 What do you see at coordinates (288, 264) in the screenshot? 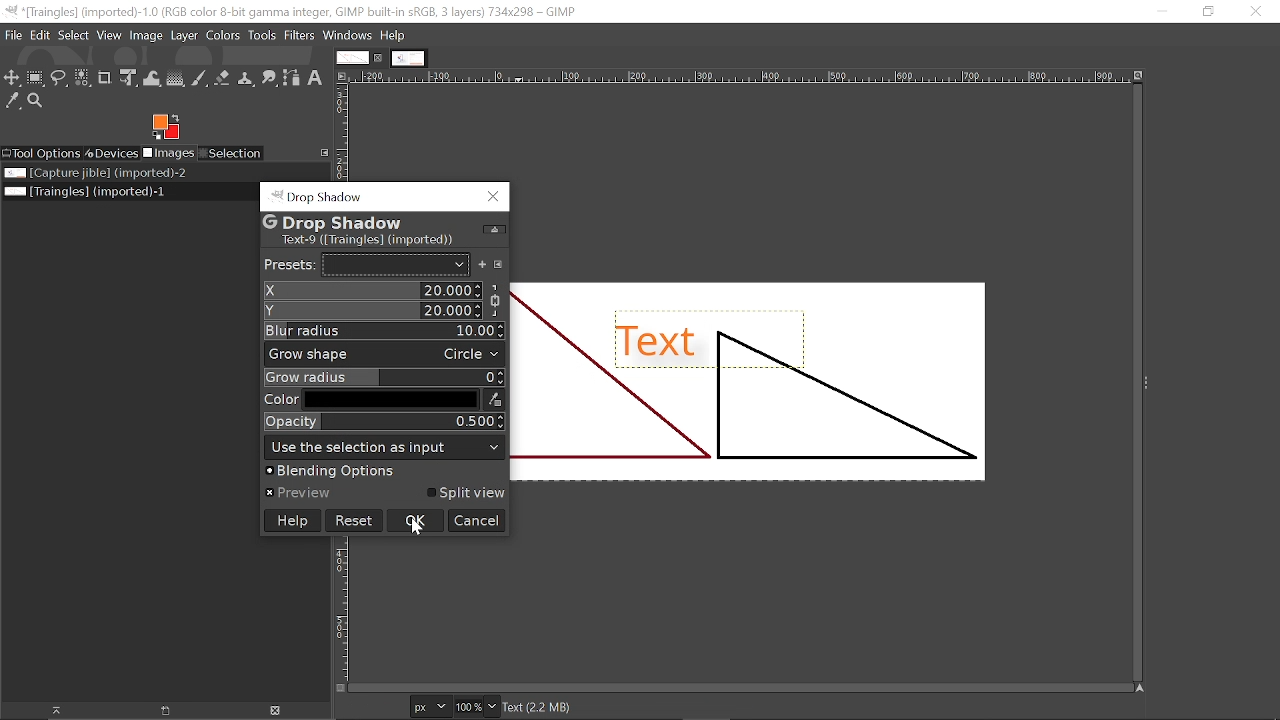
I see `Presets:` at bounding box center [288, 264].